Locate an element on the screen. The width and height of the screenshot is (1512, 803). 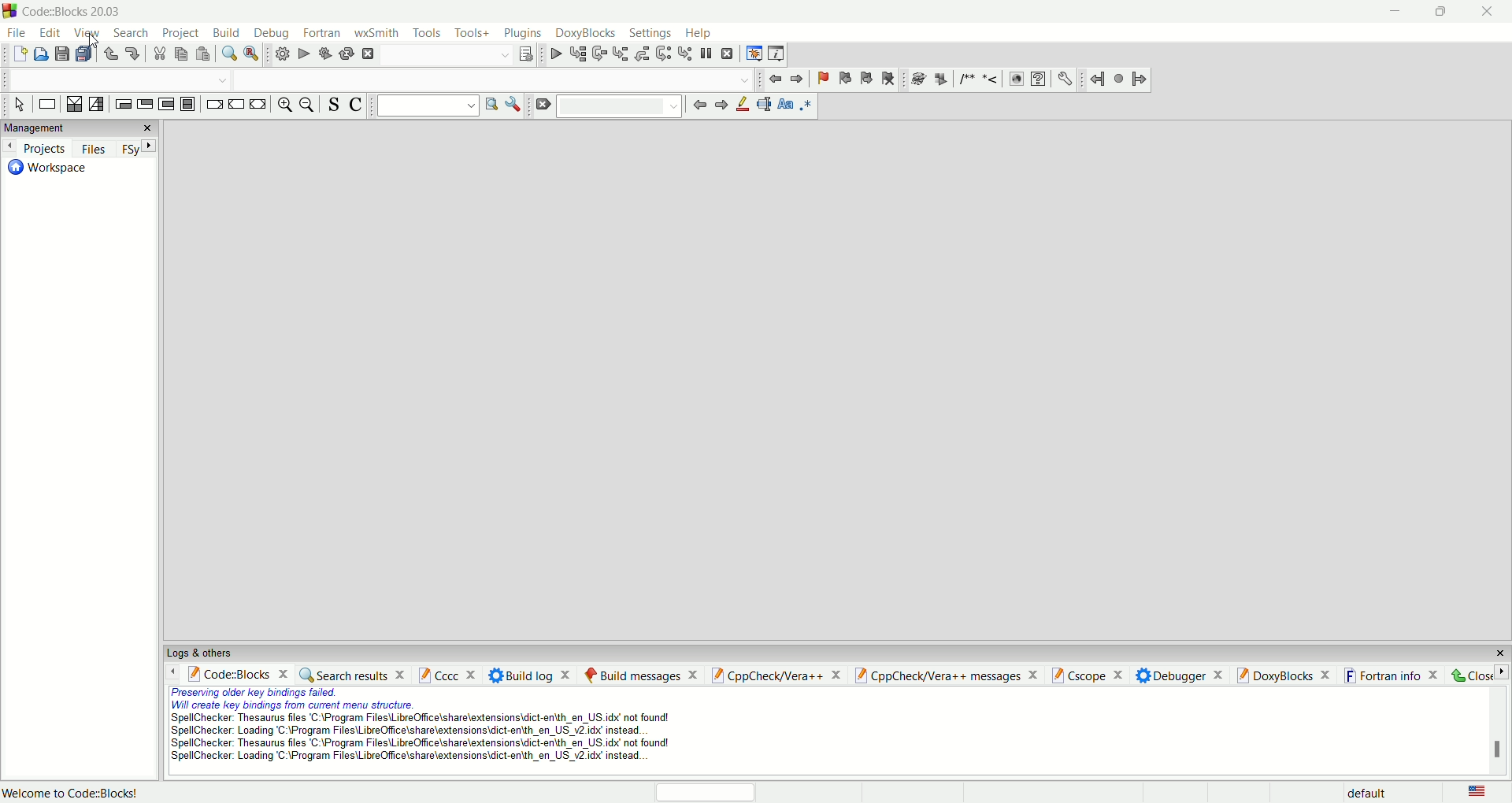
language is located at coordinates (1478, 793).